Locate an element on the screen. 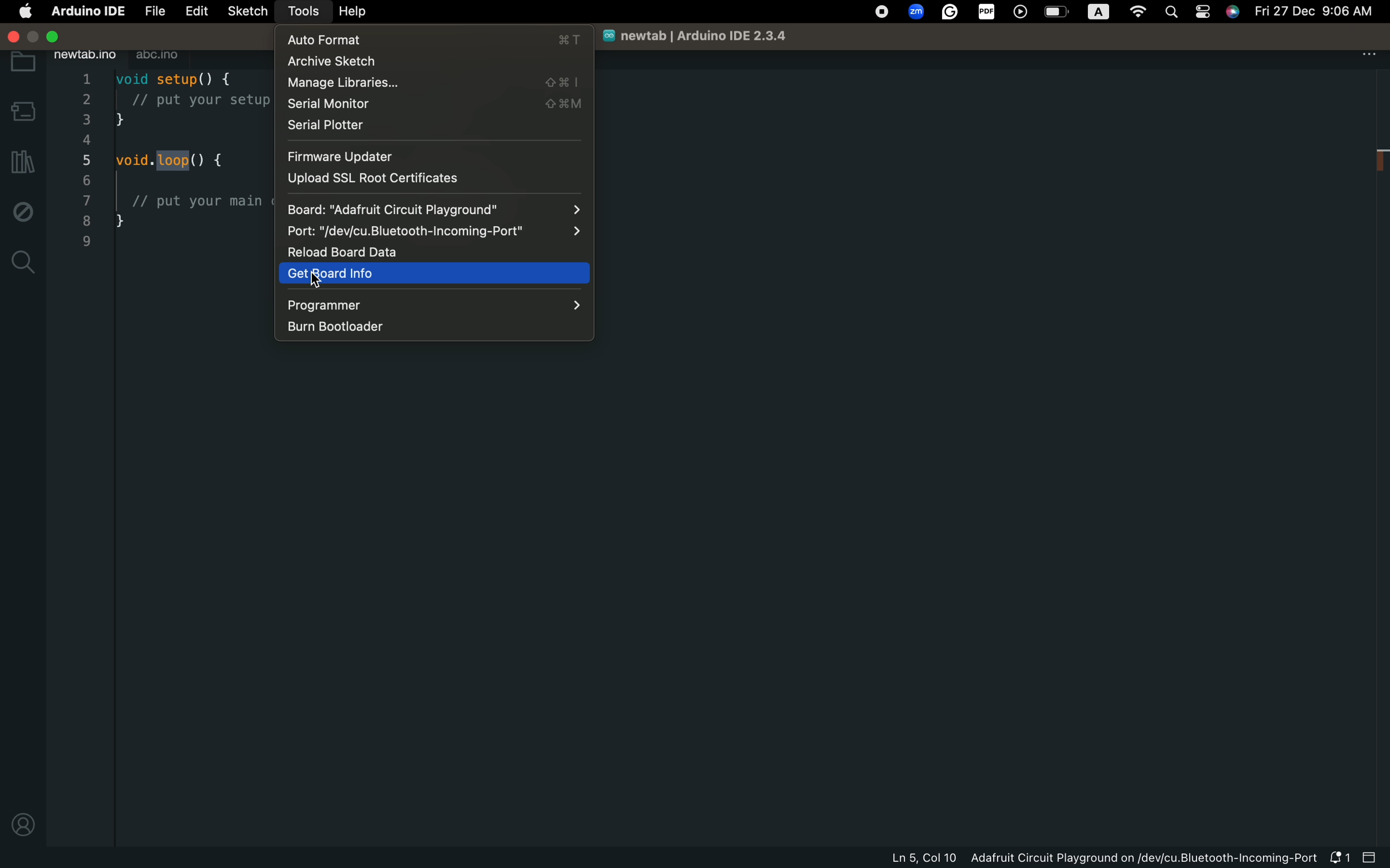 This screenshot has height=868, width=1390. Ln 5, Col 10 is located at coordinates (926, 859).